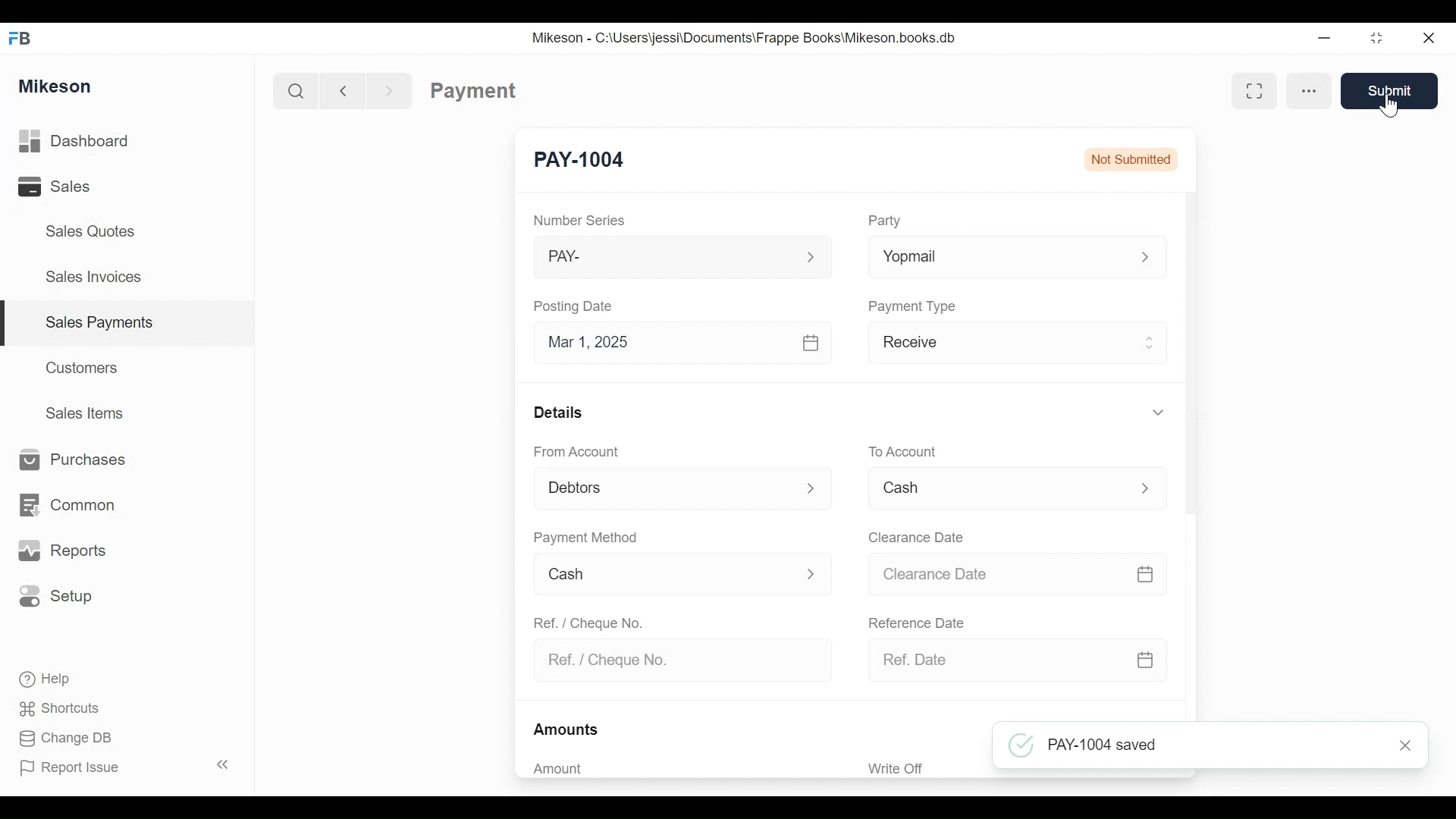  Describe the element at coordinates (566, 769) in the screenshot. I see `Amount` at that location.